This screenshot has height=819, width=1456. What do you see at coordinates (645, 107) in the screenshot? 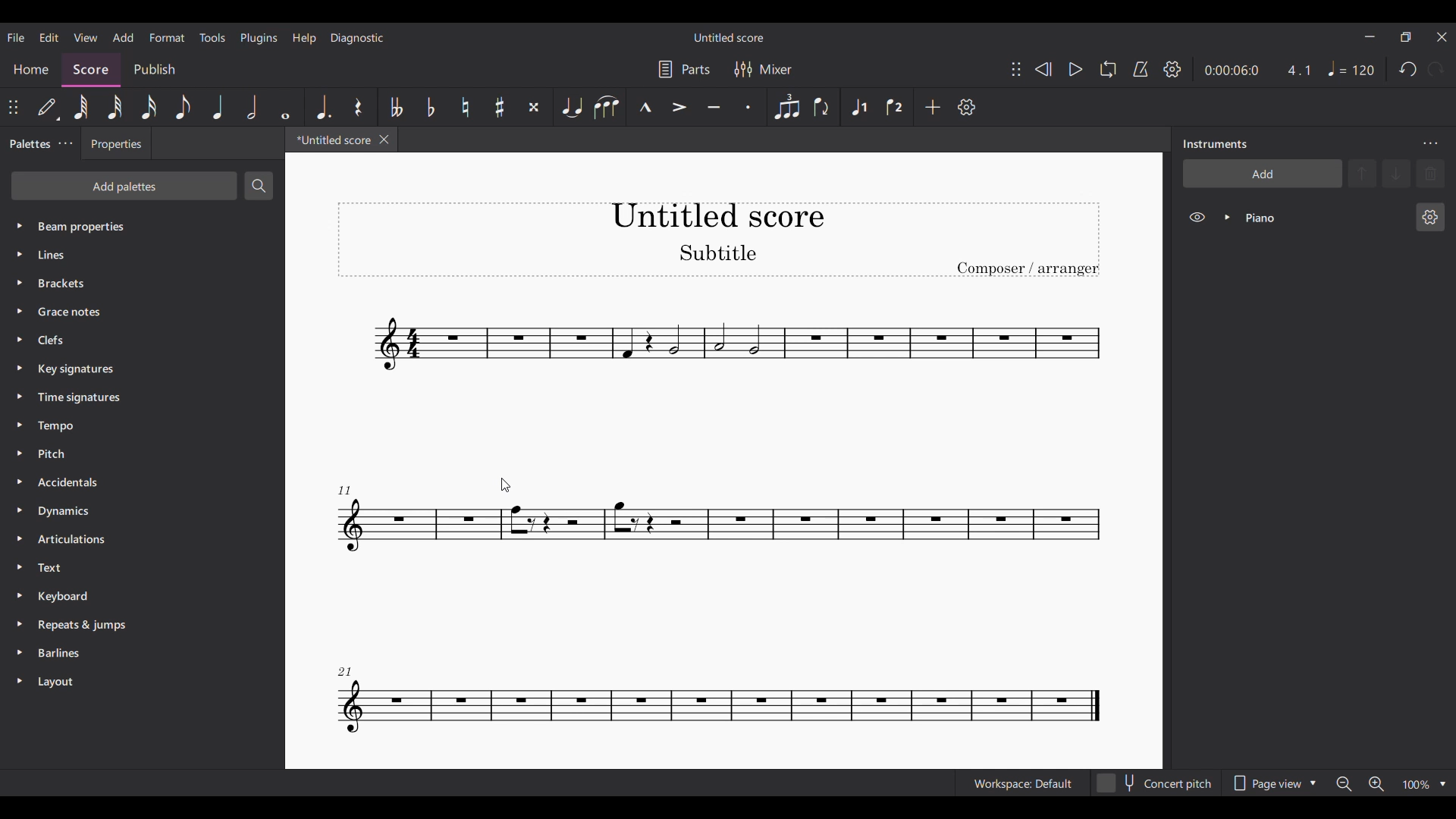
I see `Marcato` at bounding box center [645, 107].